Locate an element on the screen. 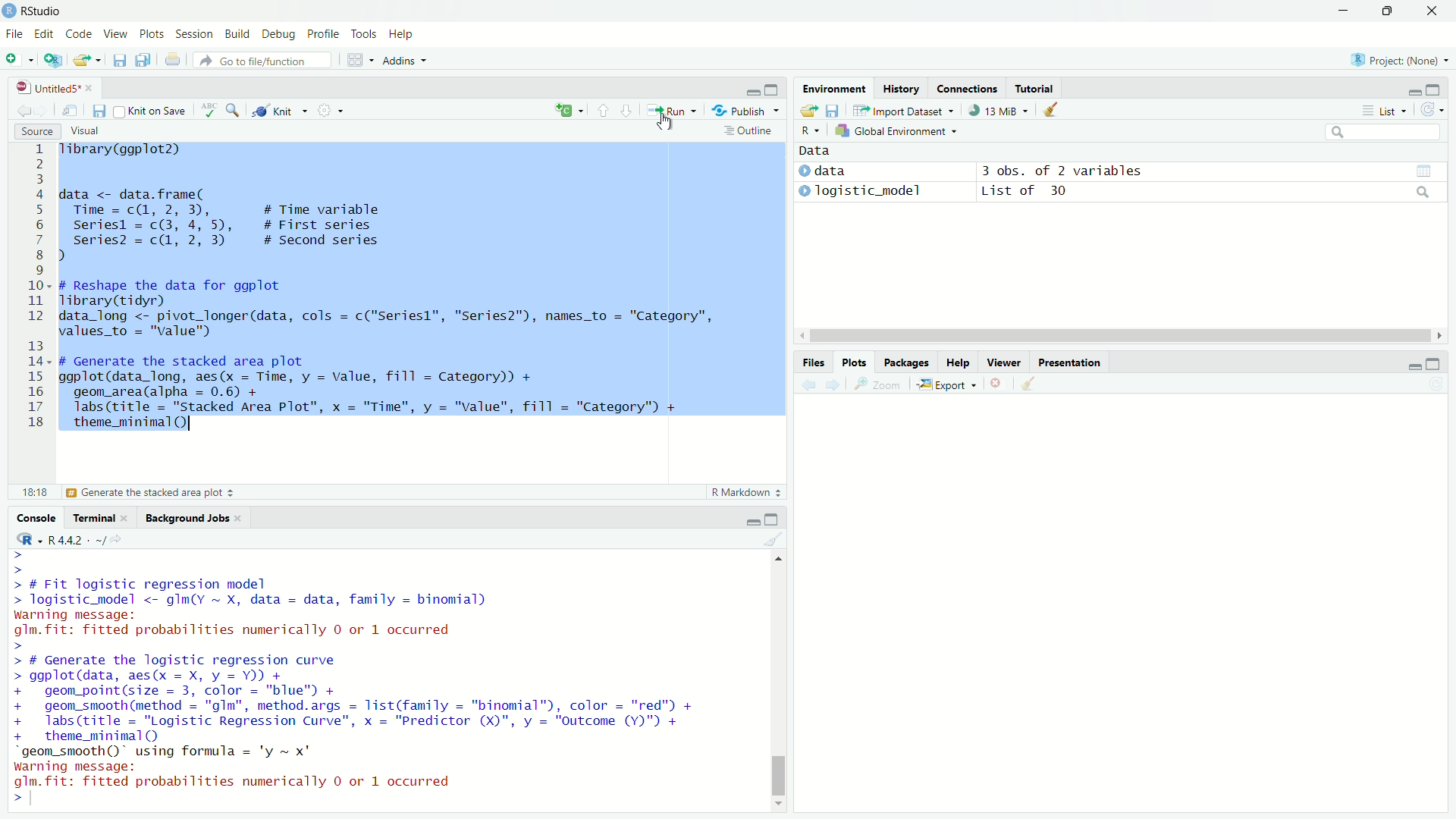 Image resolution: width=1456 pixels, height=819 pixels. save is located at coordinates (118, 63).